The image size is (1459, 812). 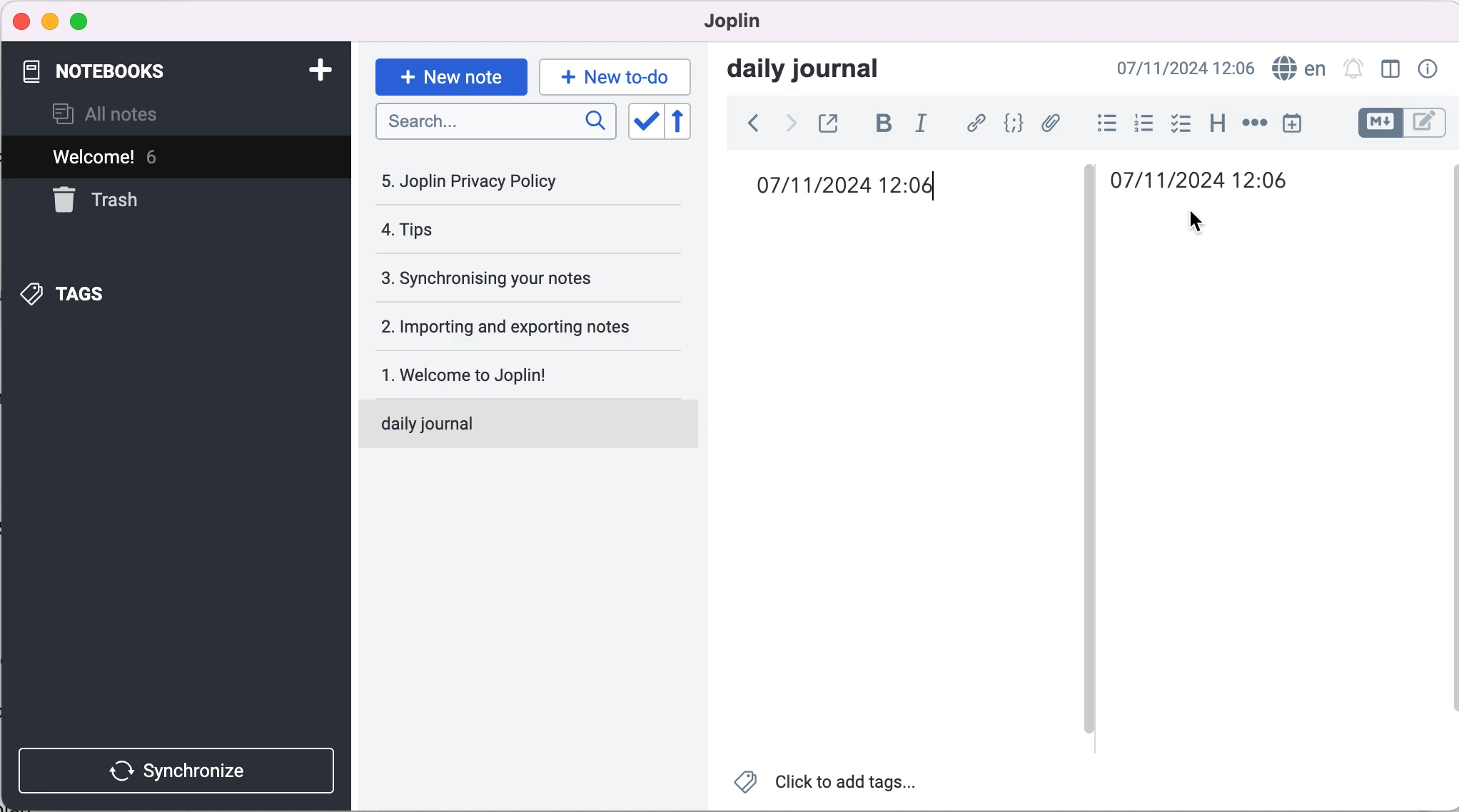 What do you see at coordinates (143, 159) in the screenshot?
I see `Welcome! 6` at bounding box center [143, 159].